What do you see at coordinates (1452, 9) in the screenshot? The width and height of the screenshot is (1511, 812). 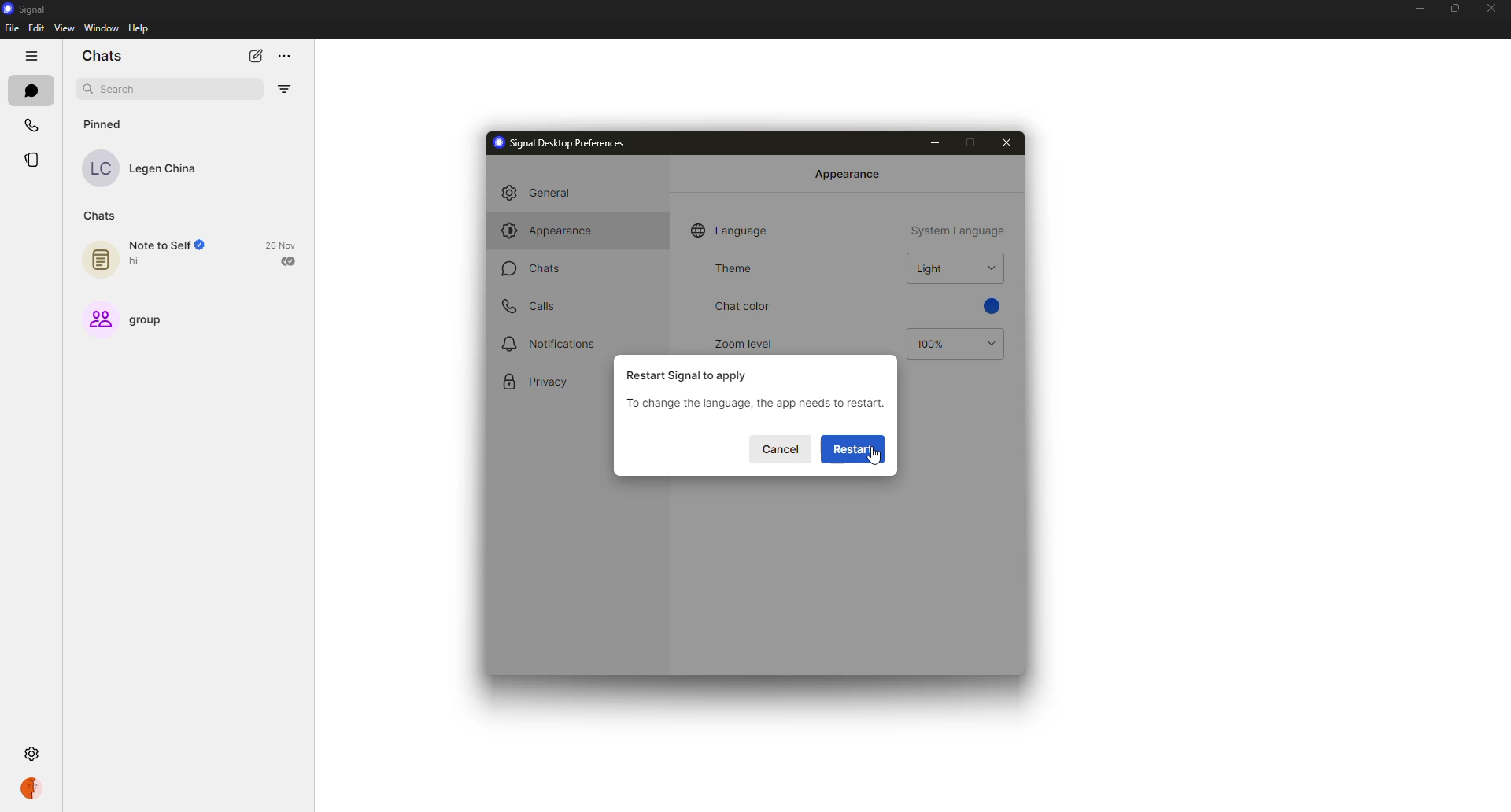 I see `maximize` at bounding box center [1452, 9].